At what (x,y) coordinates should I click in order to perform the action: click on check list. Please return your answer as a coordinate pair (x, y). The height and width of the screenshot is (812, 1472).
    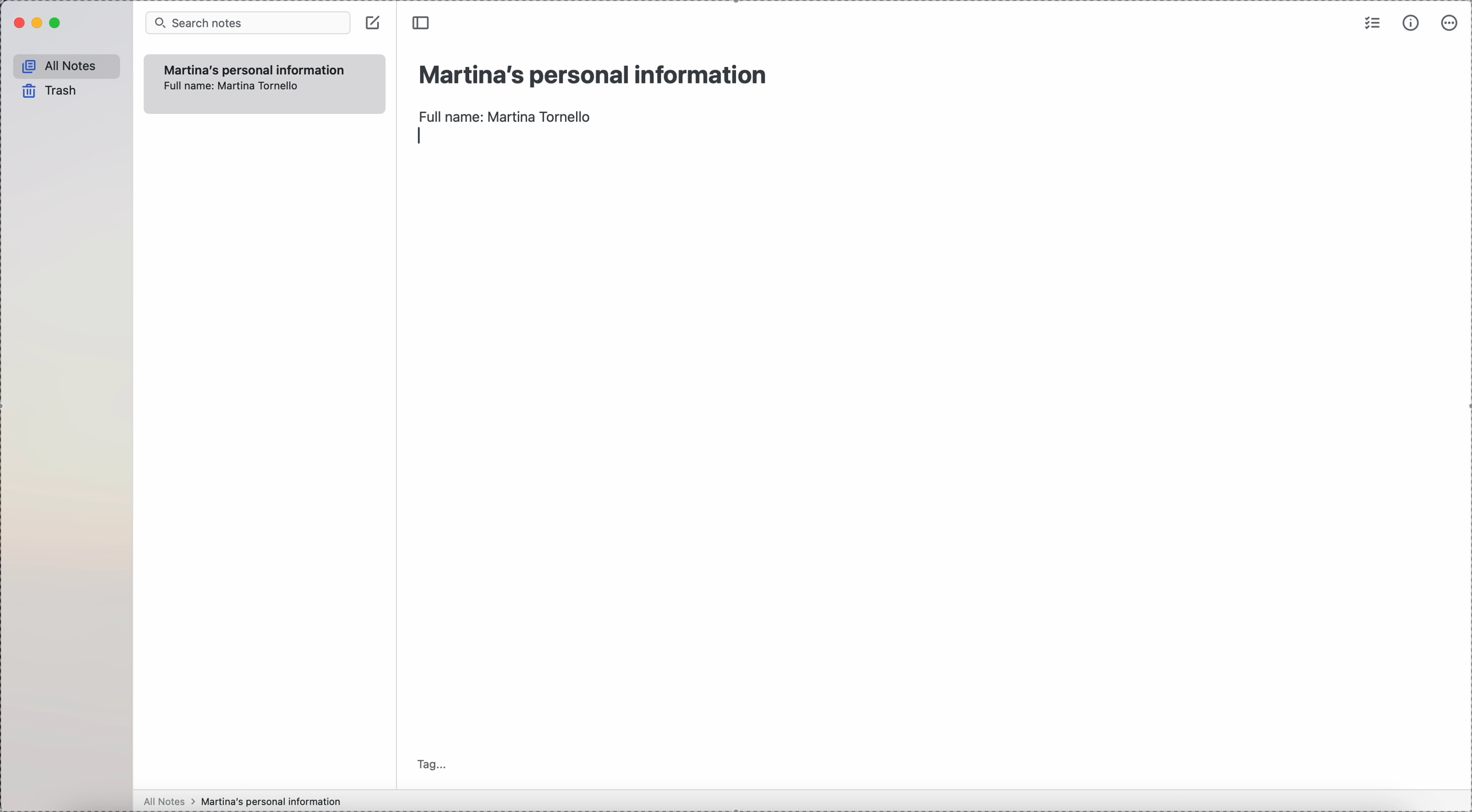
    Looking at the image, I should click on (1371, 25).